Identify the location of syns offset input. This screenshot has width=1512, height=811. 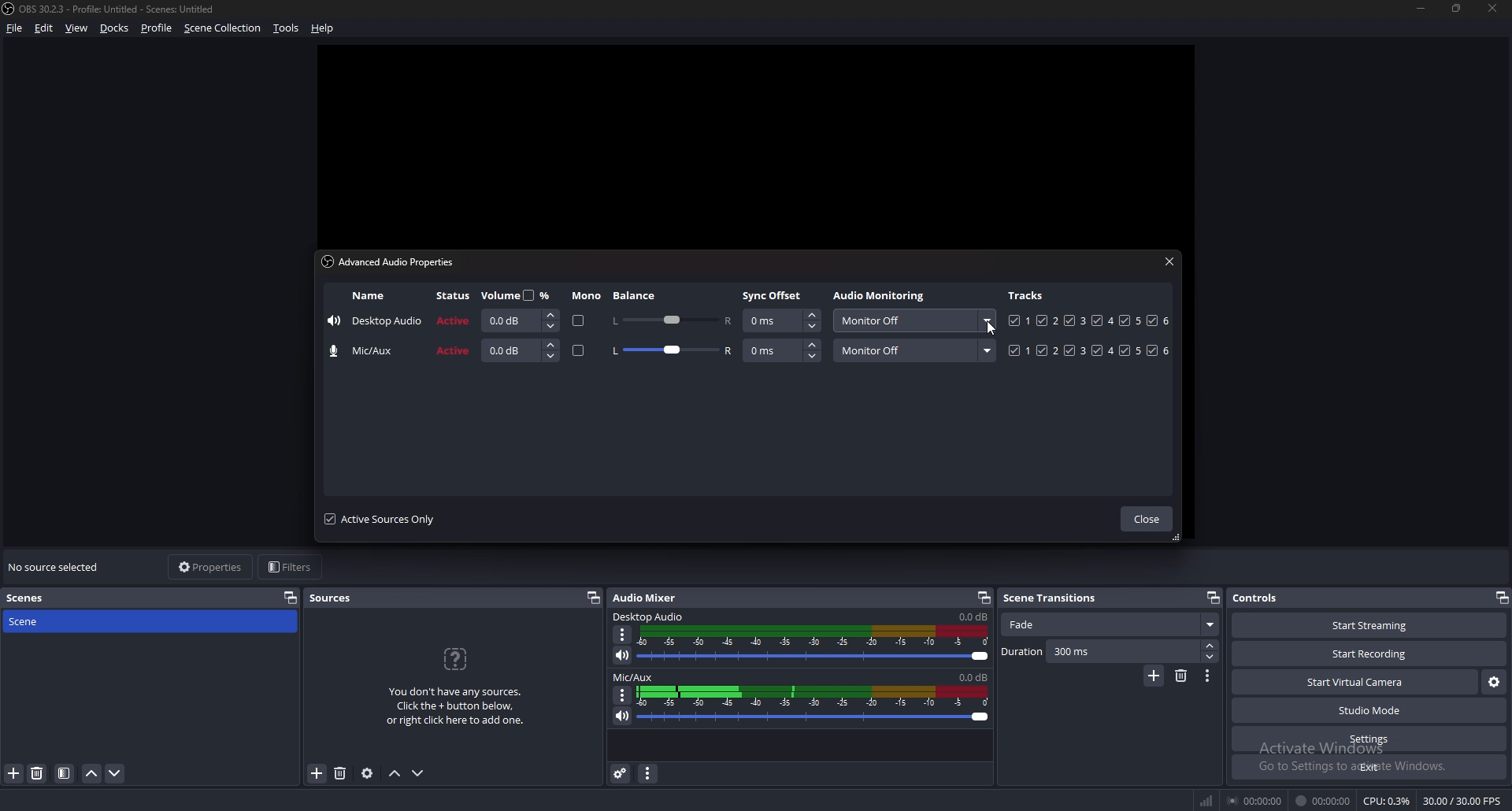
(783, 350).